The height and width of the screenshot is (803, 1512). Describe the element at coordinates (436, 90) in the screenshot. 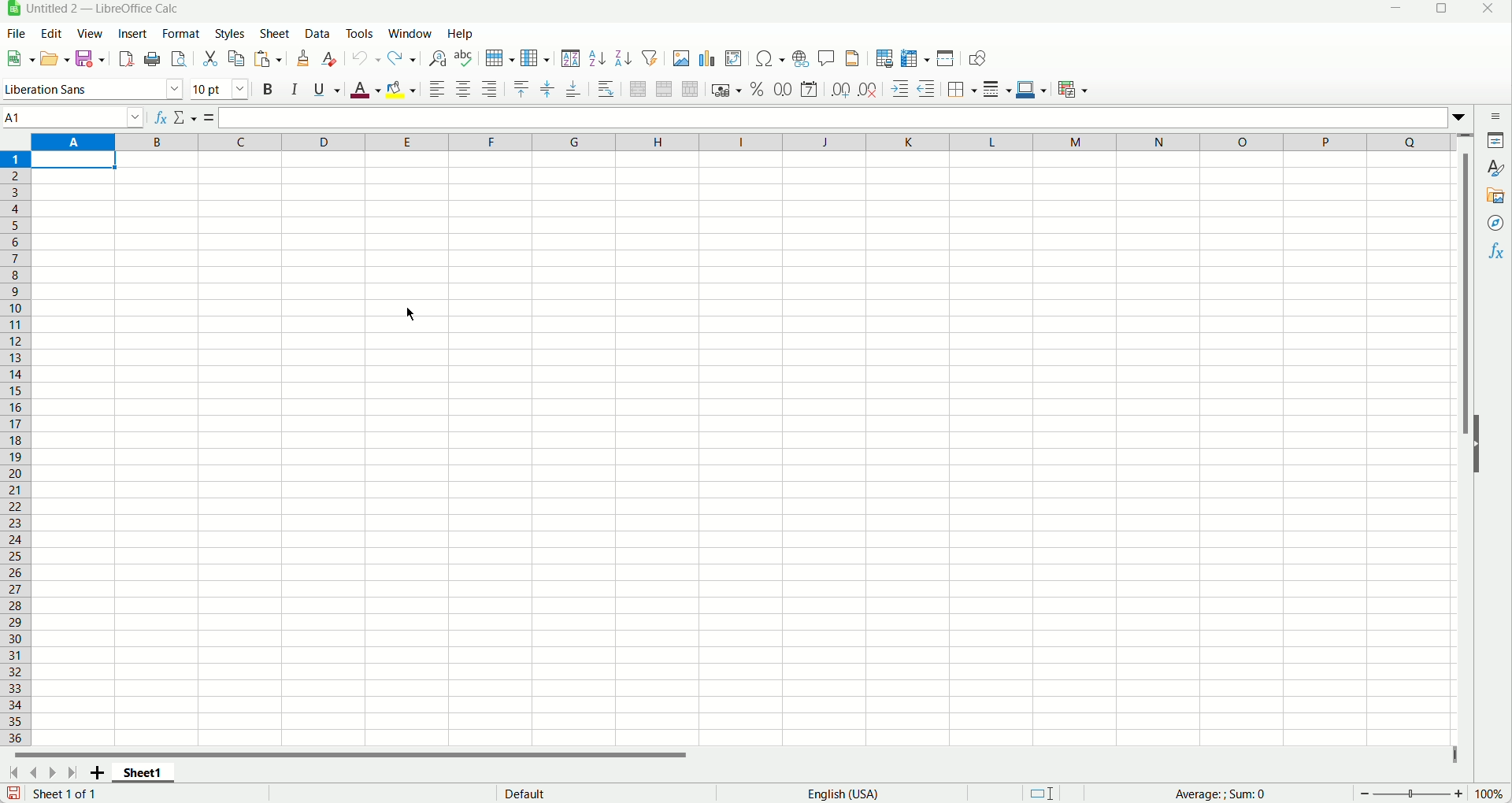

I see `Align left` at that location.